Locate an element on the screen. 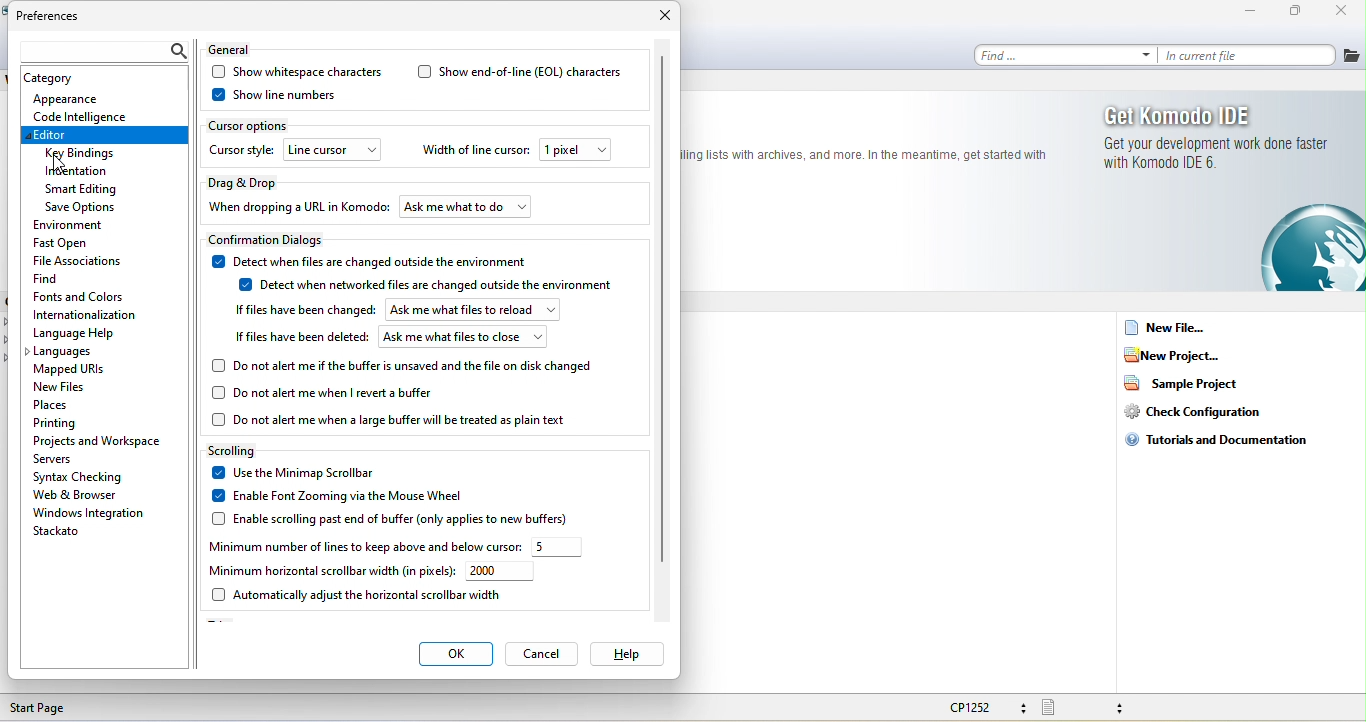 Image resolution: width=1366 pixels, height=722 pixels. if files have been changed is located at coordinates (302, 310).